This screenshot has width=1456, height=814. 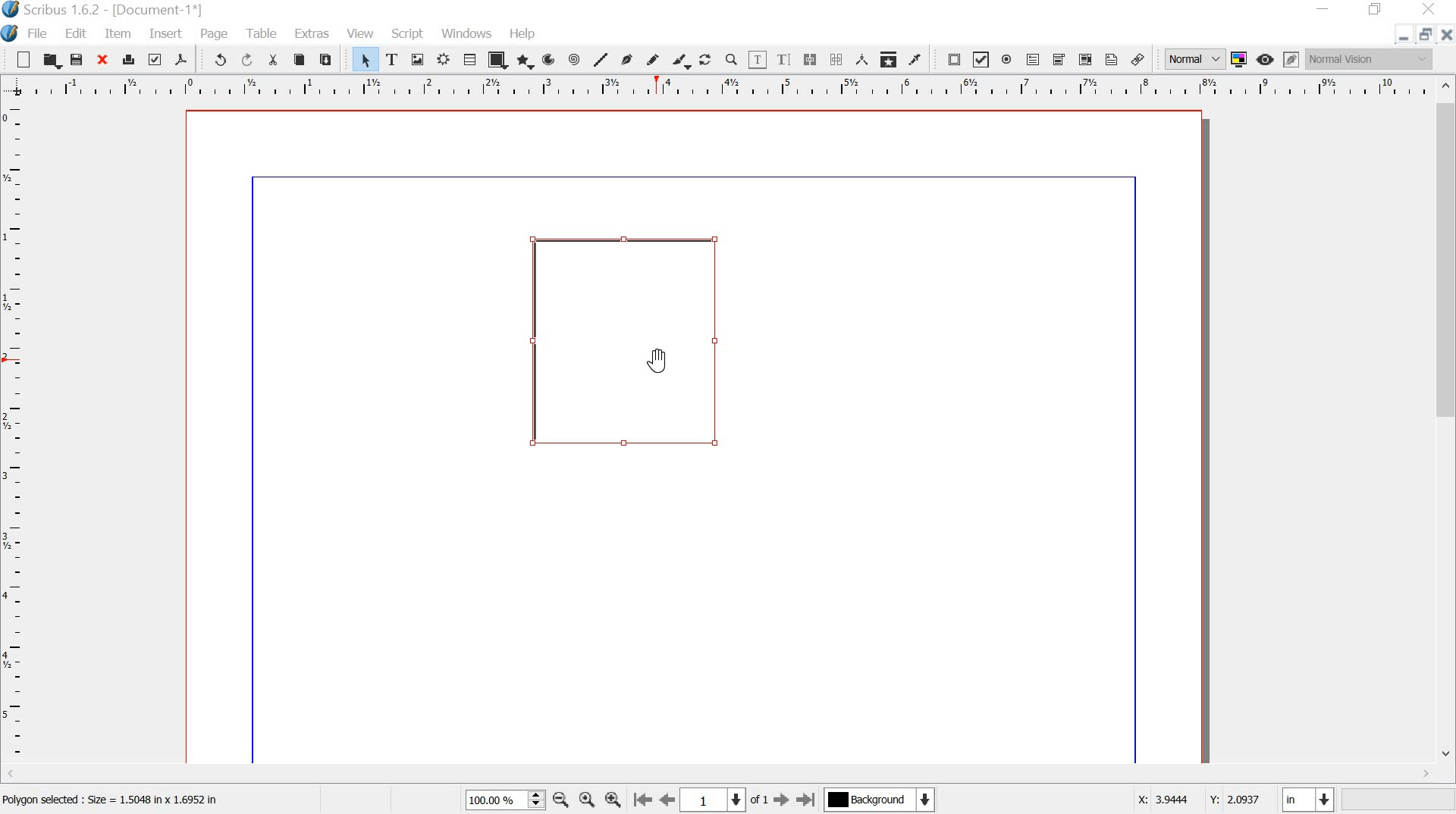 What do you see at coordinates (706, 61) in the screenshot?
I see `rotate item` at bounding box center [706, 61].